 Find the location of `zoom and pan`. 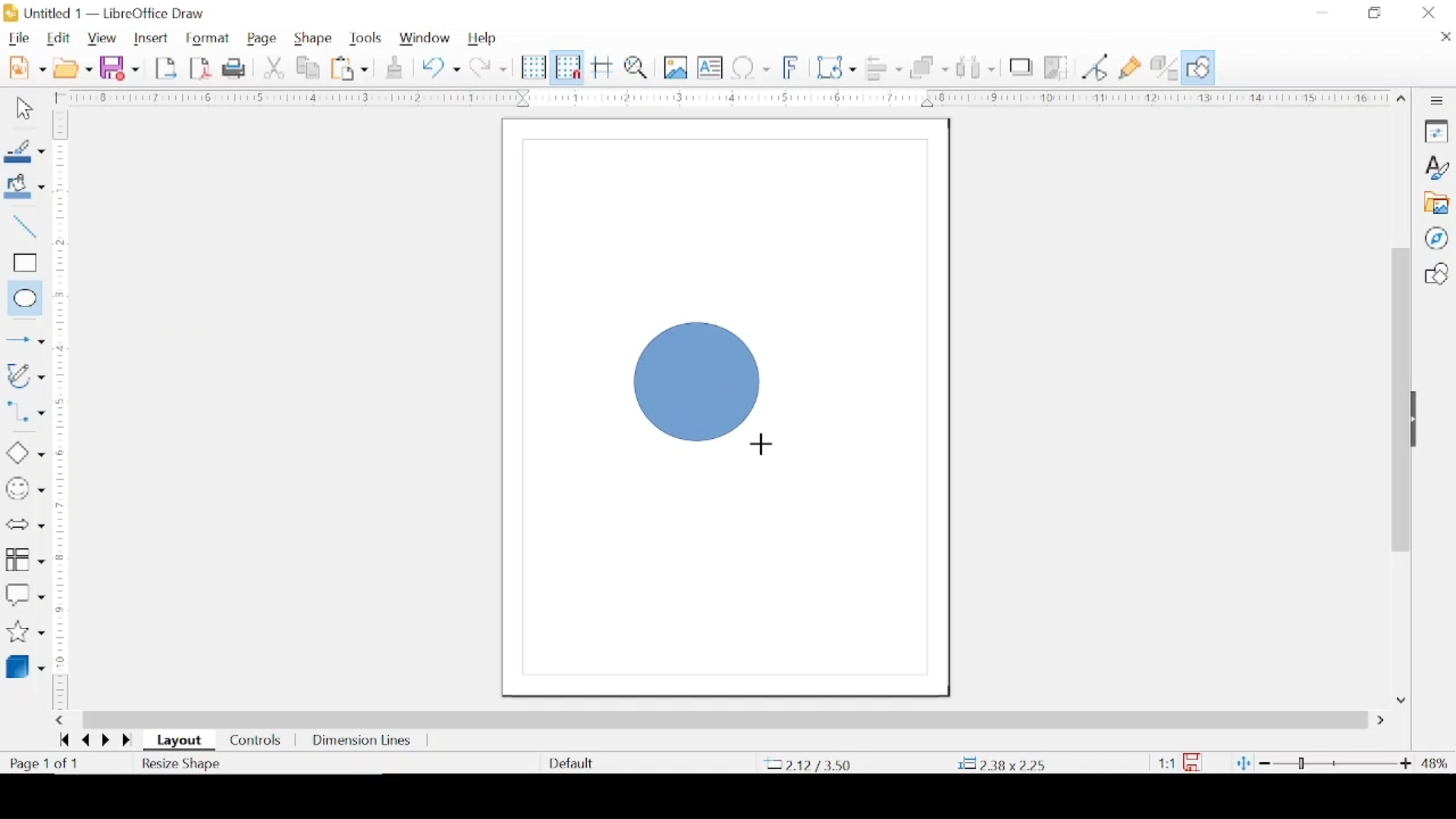

zoom and pan is located at coordinates (637, 68).